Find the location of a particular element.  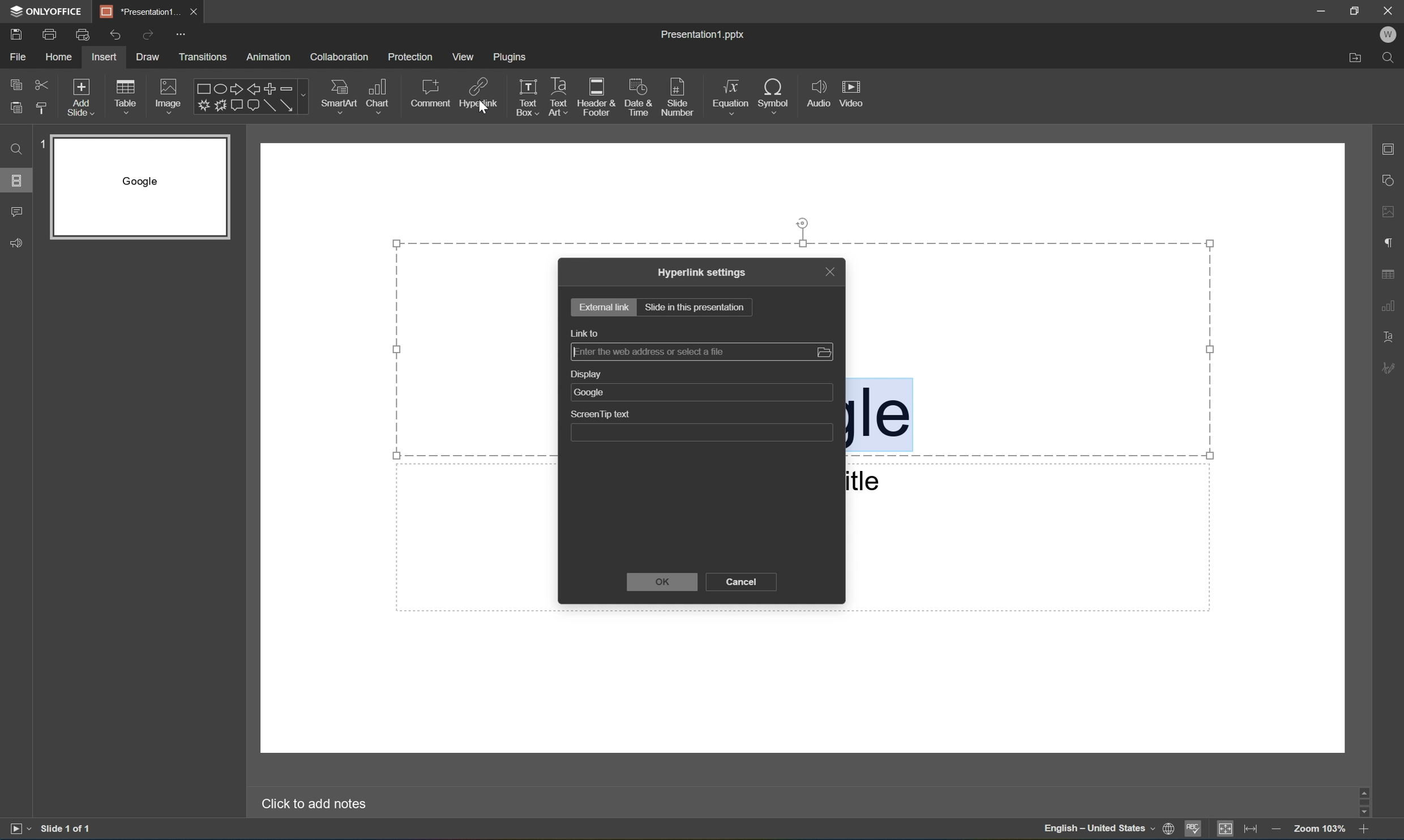

Text art is located at coordinates (559, 94).